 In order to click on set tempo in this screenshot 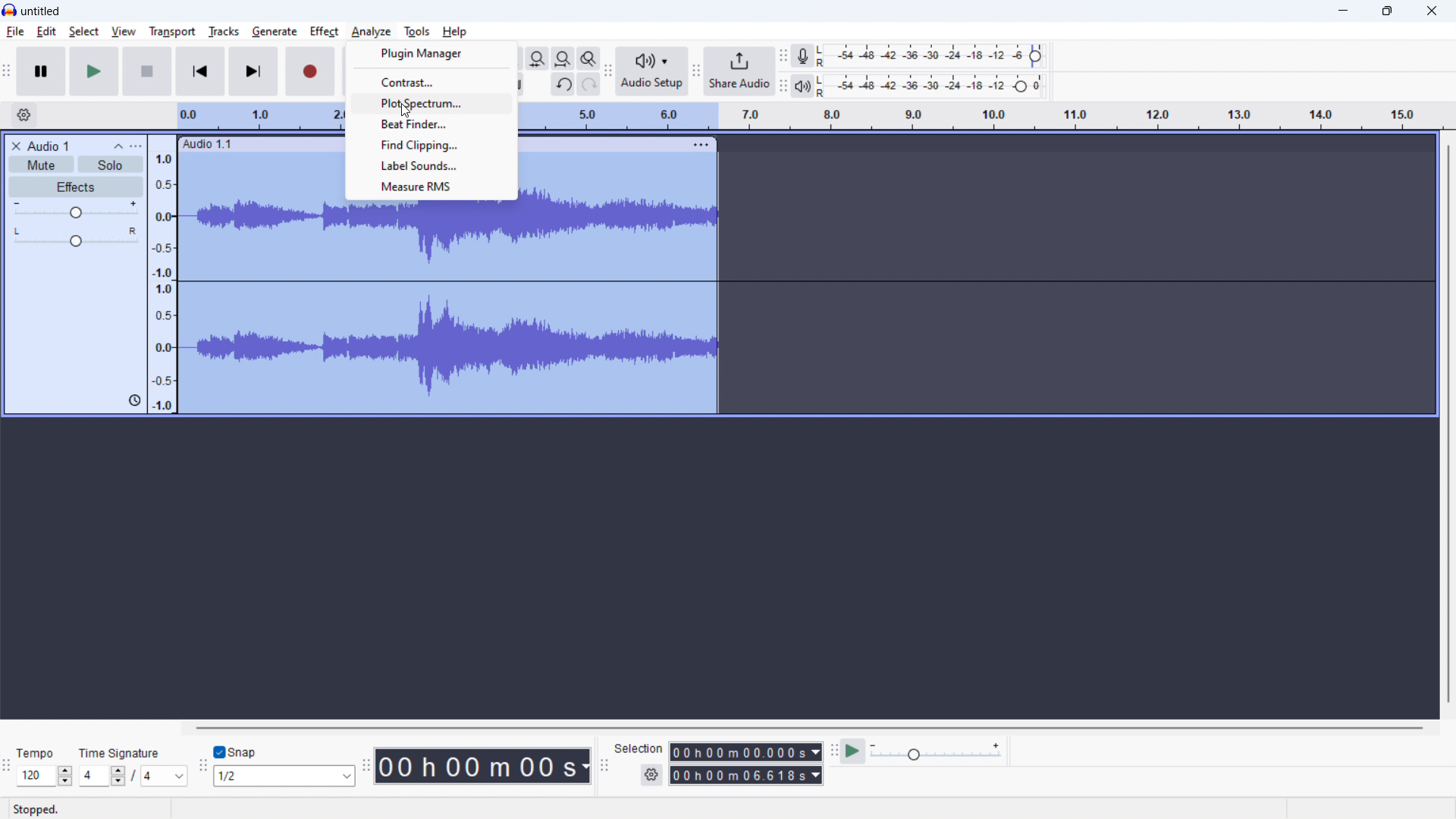, I will do `click(44, 777)`.